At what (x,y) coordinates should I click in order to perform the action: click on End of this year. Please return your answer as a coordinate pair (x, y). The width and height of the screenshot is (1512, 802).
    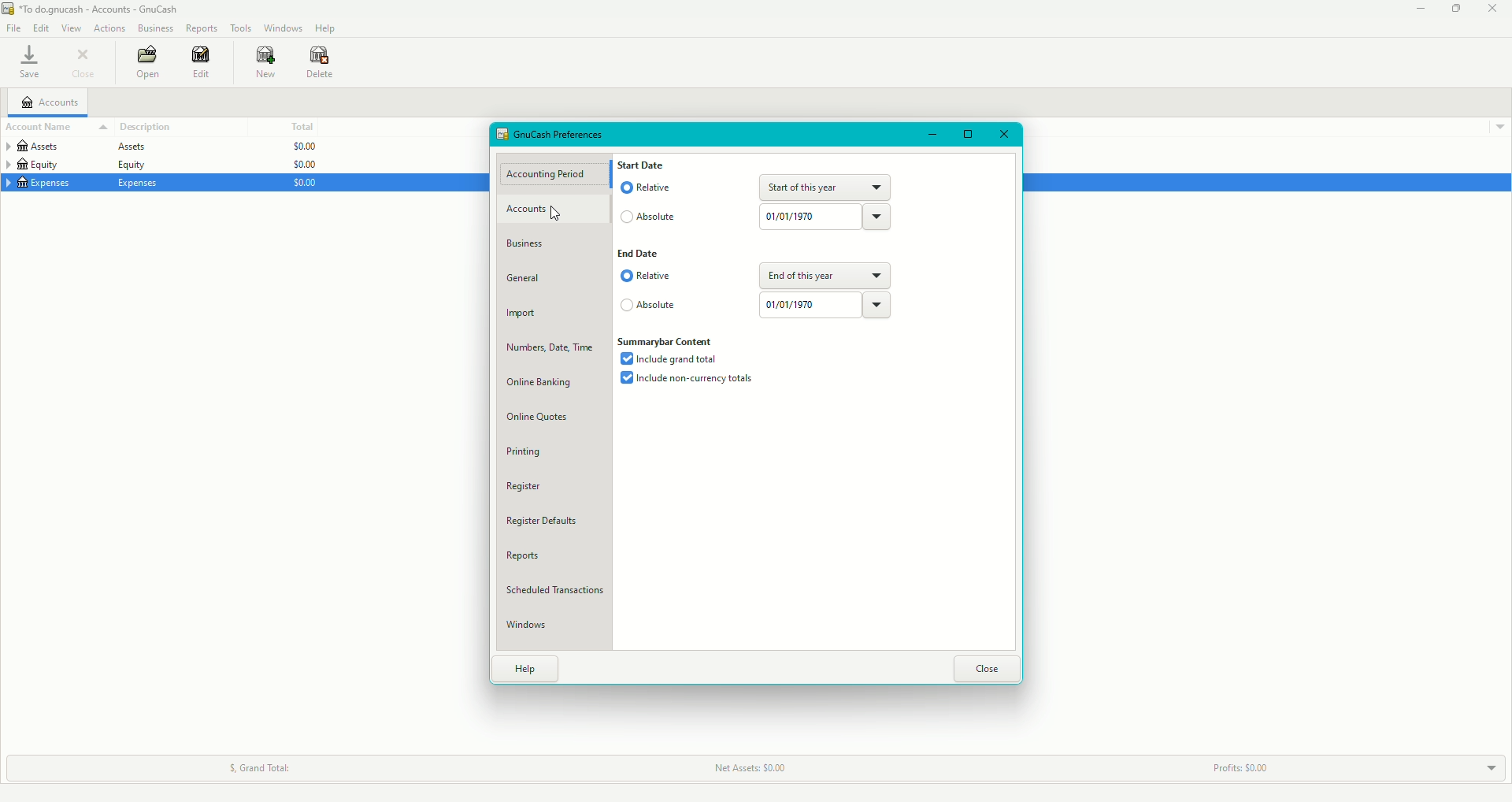
    Looking at the image, I should click on (823, 275).